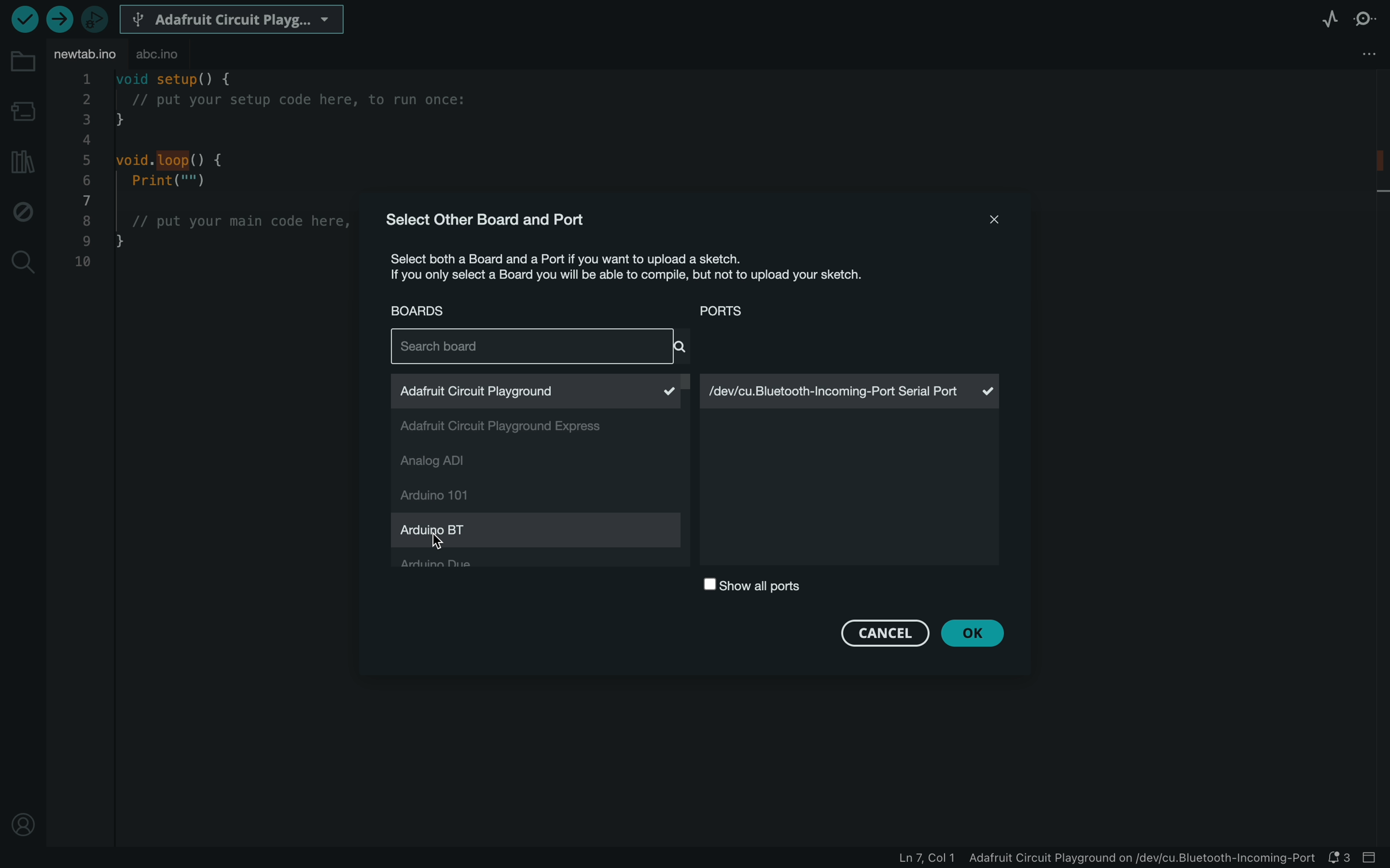  I want to click on ports, so click(727, 312).